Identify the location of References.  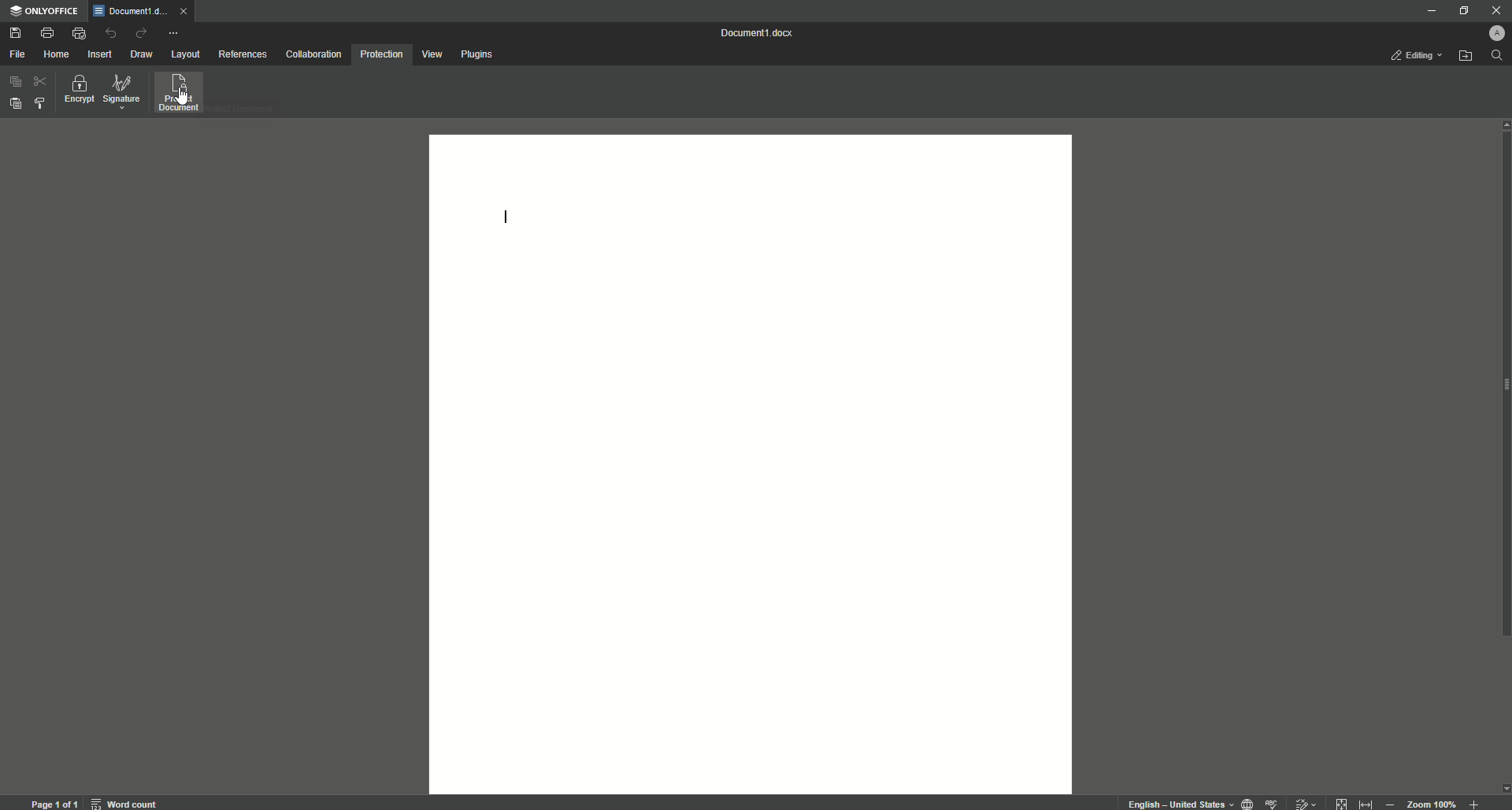
(242, 54).